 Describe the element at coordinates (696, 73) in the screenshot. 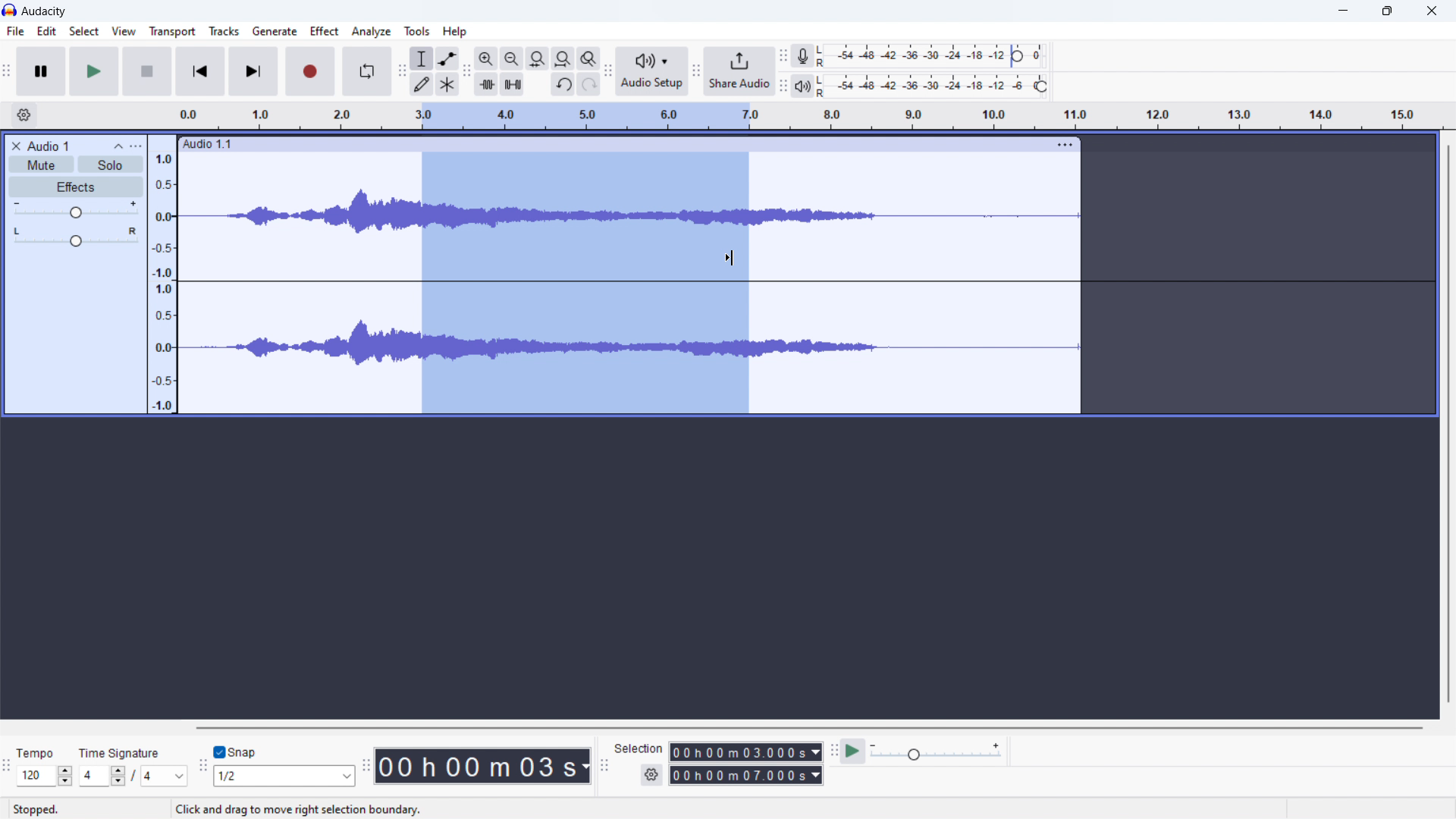

I see `share audio toolbar` at that location.